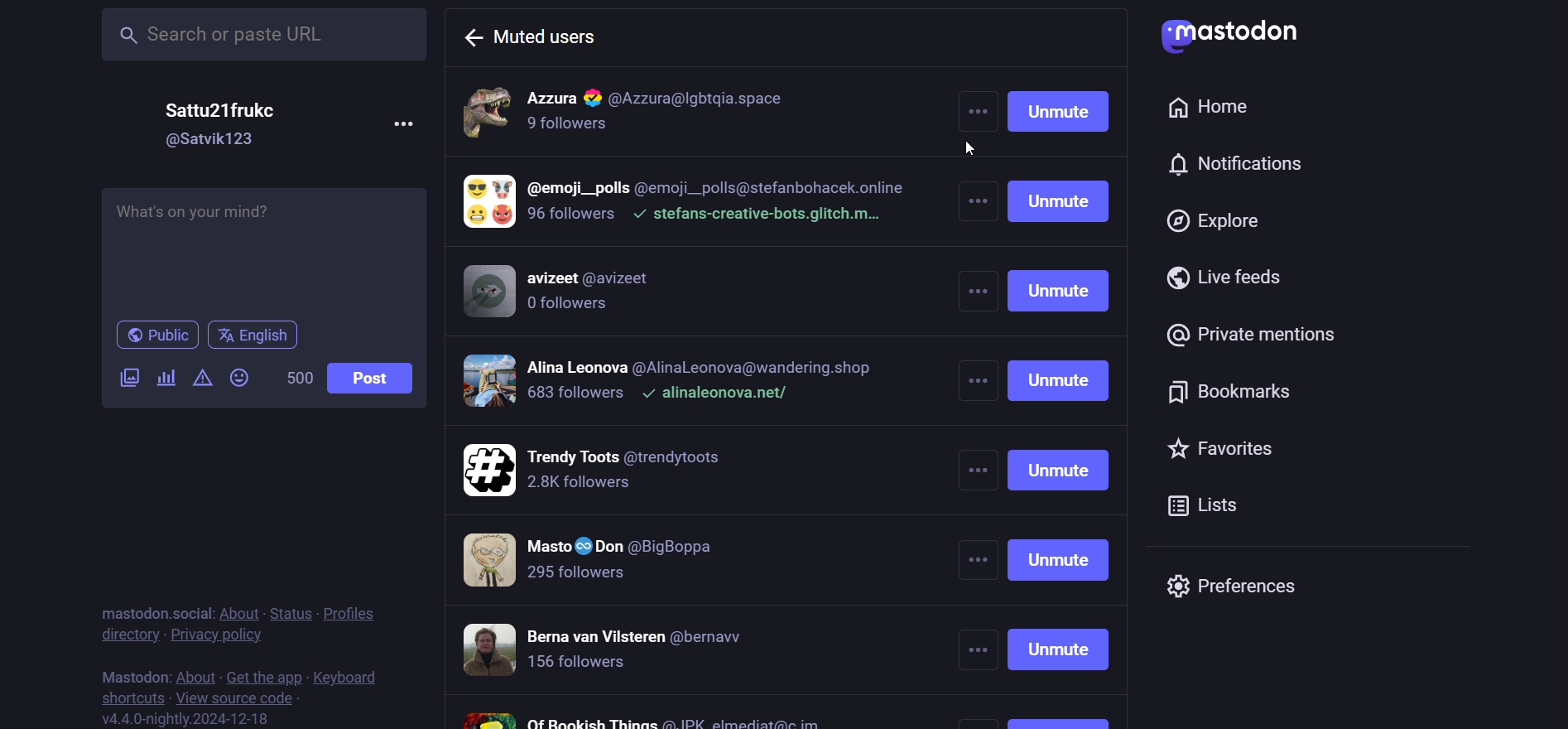 The width and height of the screenshot is (1568, 729). I want to click on poll, so click(165, 379).